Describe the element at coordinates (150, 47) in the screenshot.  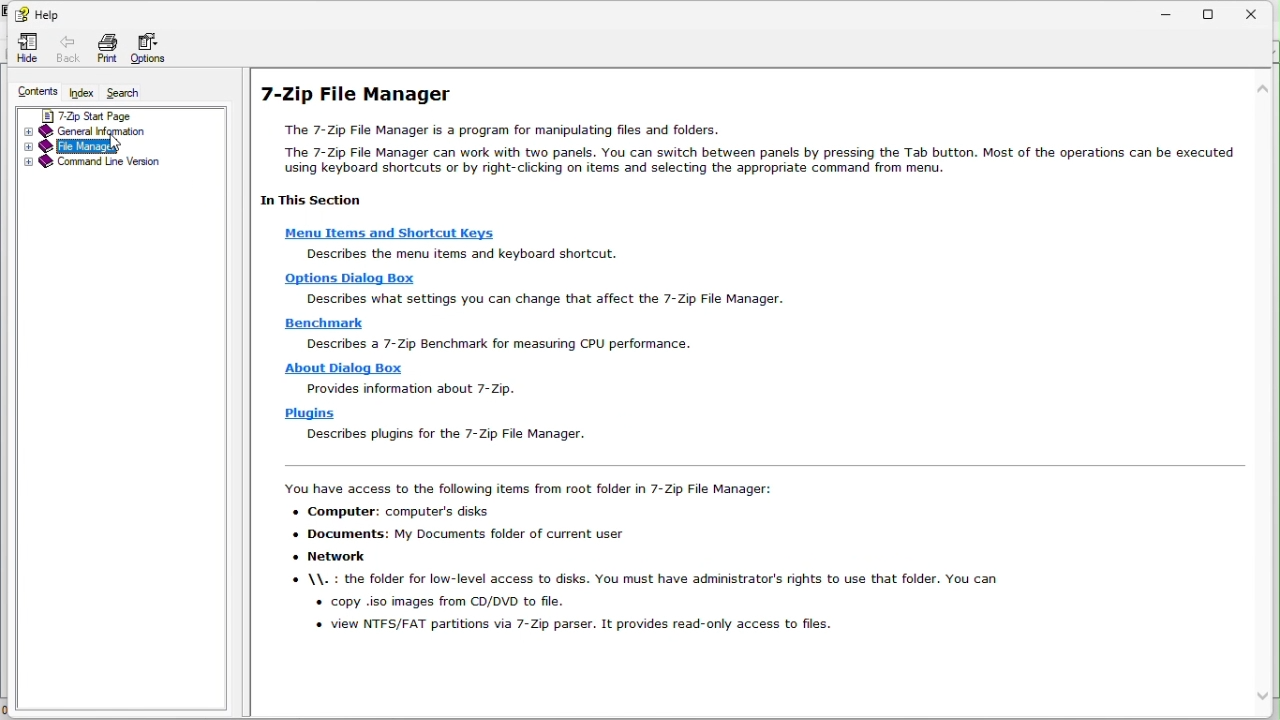
I see `Options` at that location.